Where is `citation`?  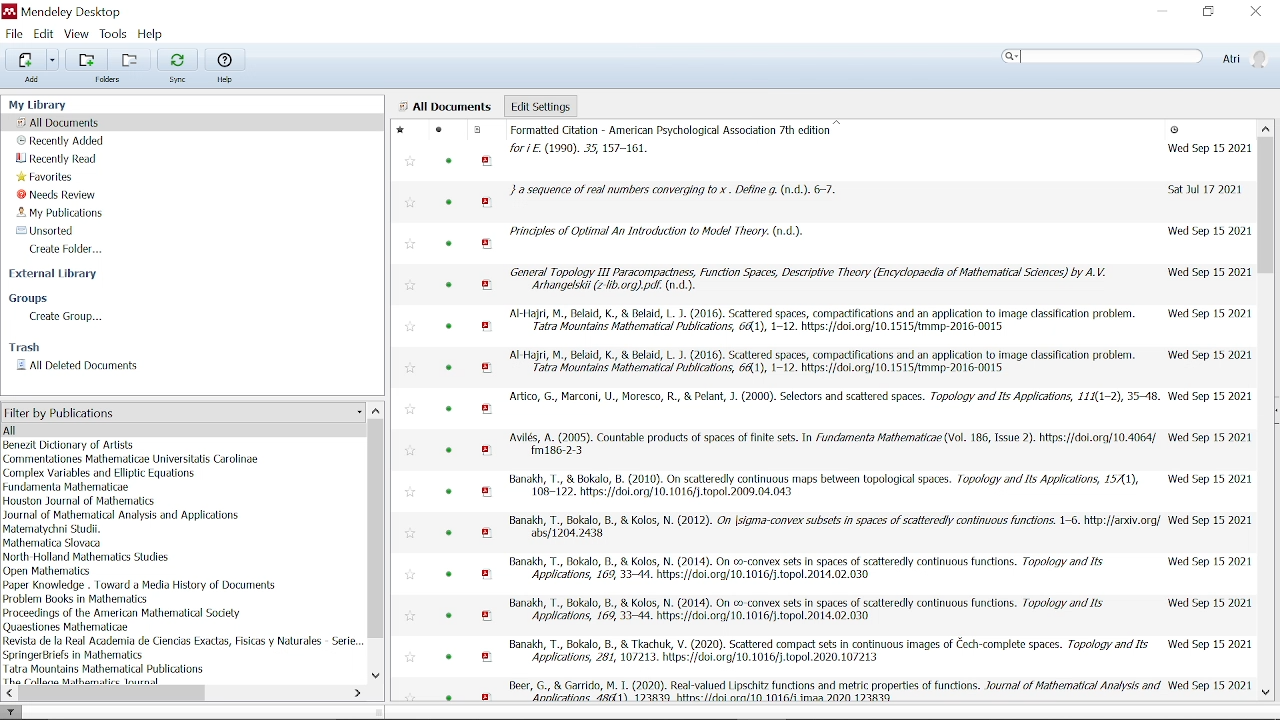 citation is located at coordinates (835, 688).